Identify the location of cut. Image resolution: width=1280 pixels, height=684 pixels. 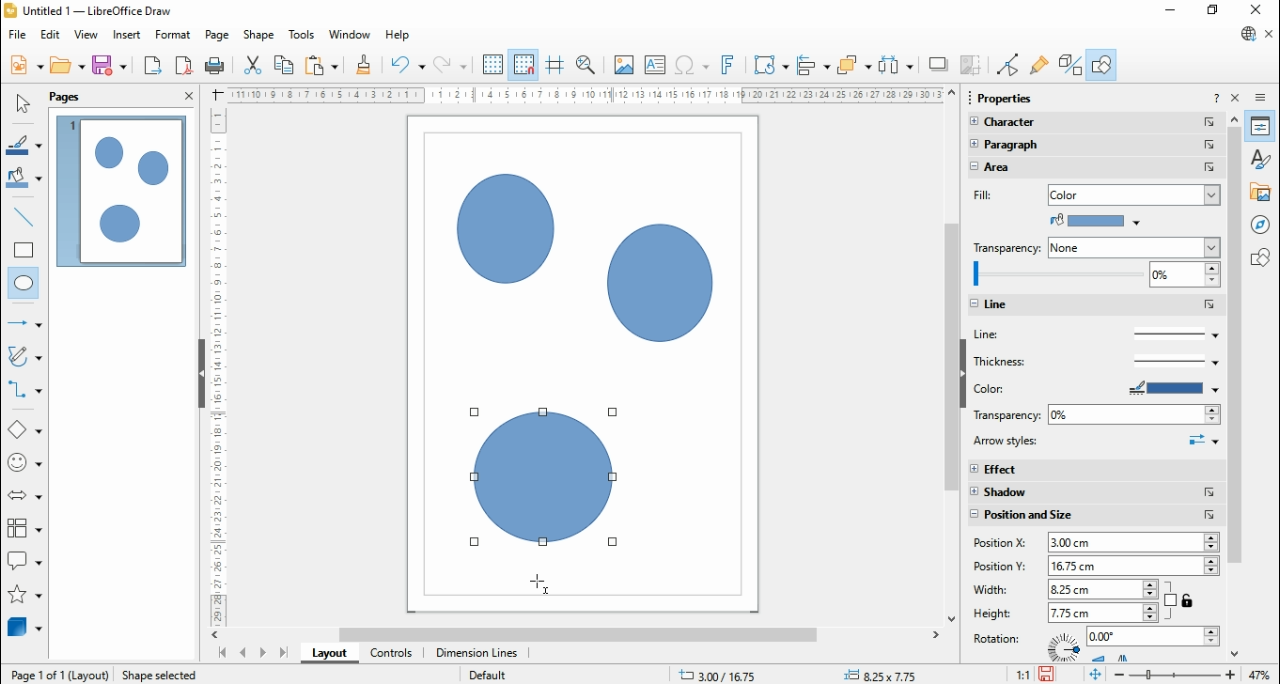
(252, 64).